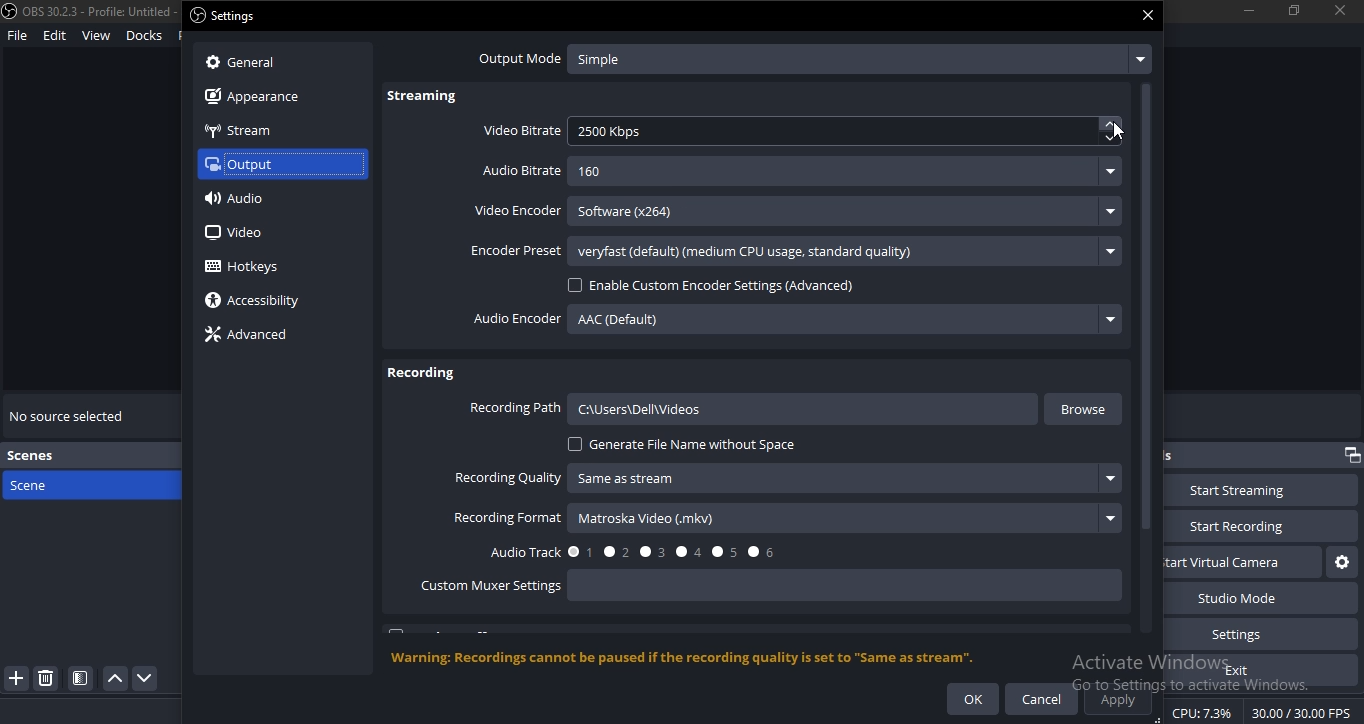 The height and width of the screenshot is (724, 1364). What do you see at coordinates (271, 164) in the screenshot?
I see `output` at bounding box center [271, 164].